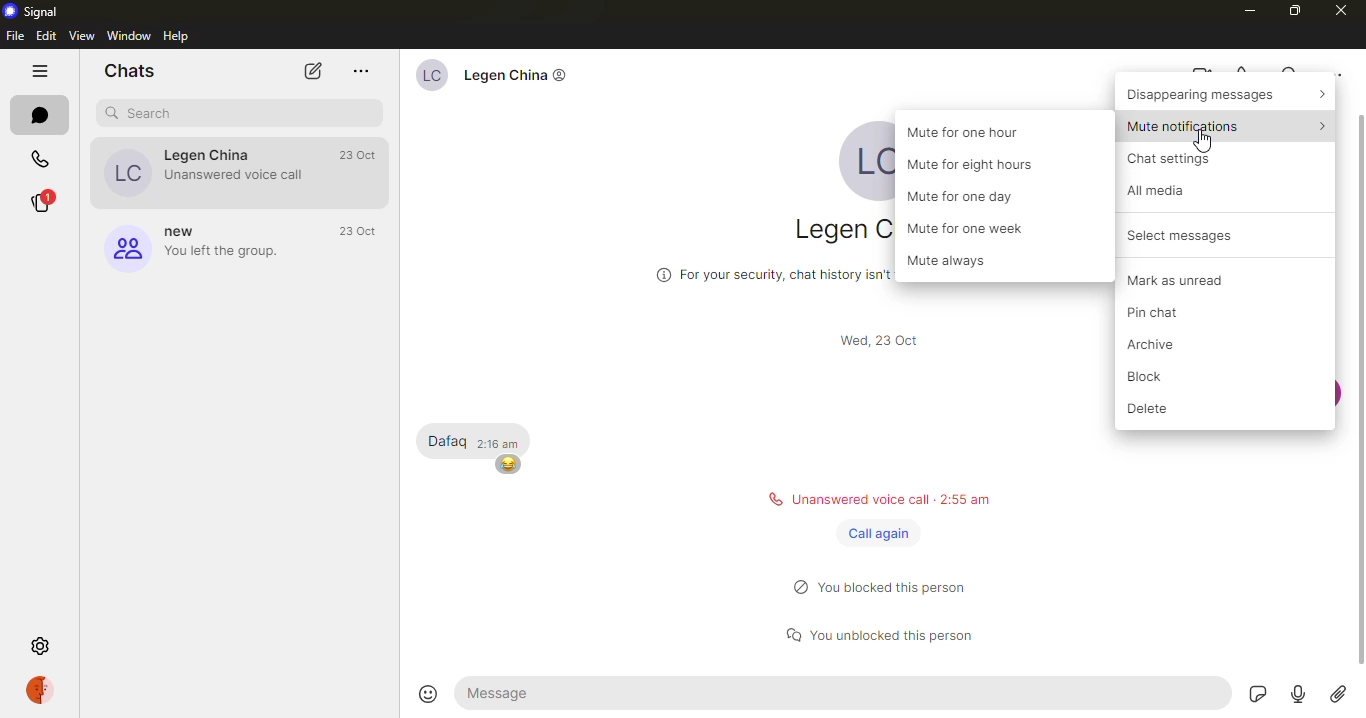  I want to click on sticker, so click(1257, 696).